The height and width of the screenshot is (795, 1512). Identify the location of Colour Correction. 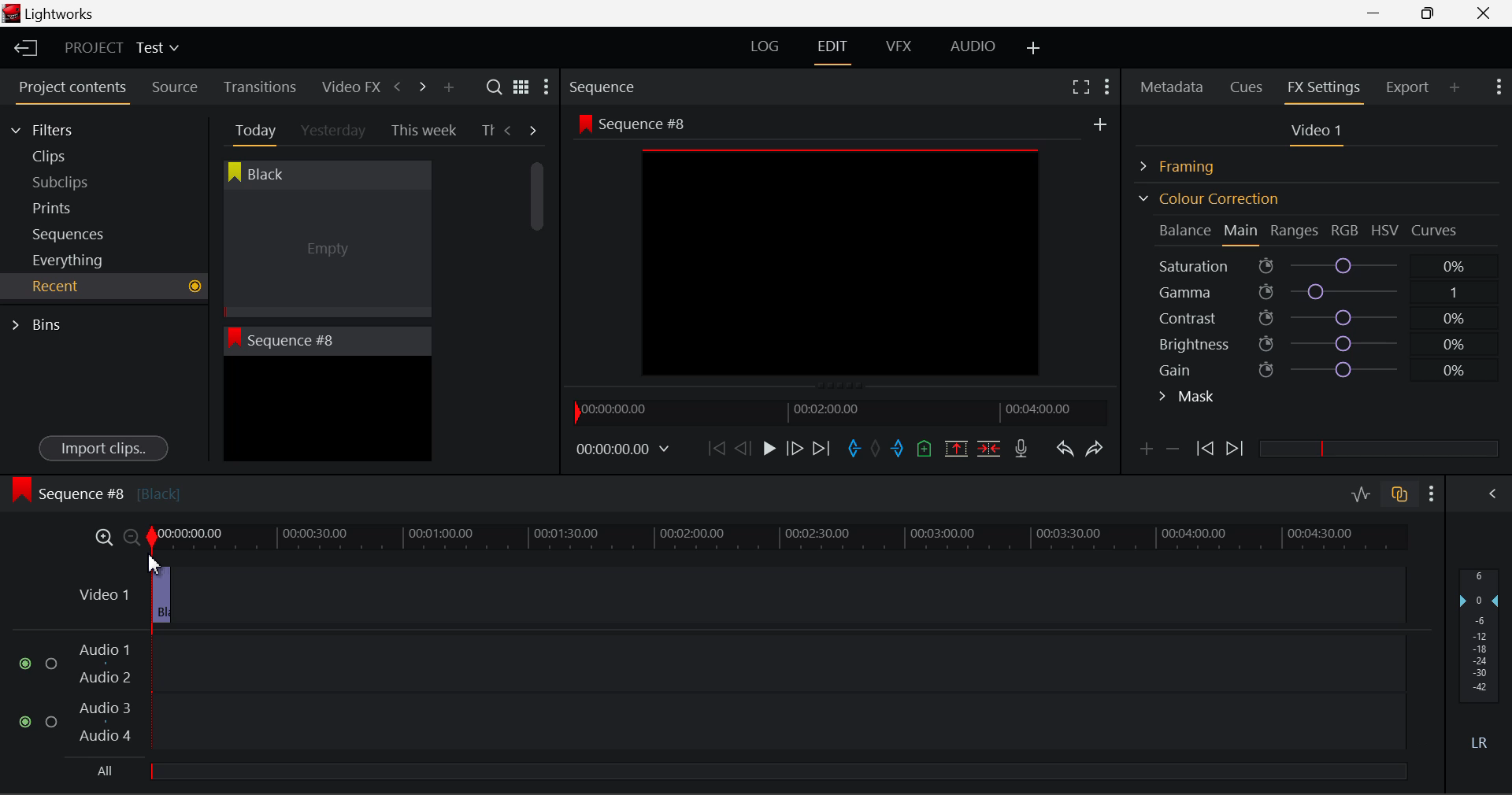
(1208, 198).